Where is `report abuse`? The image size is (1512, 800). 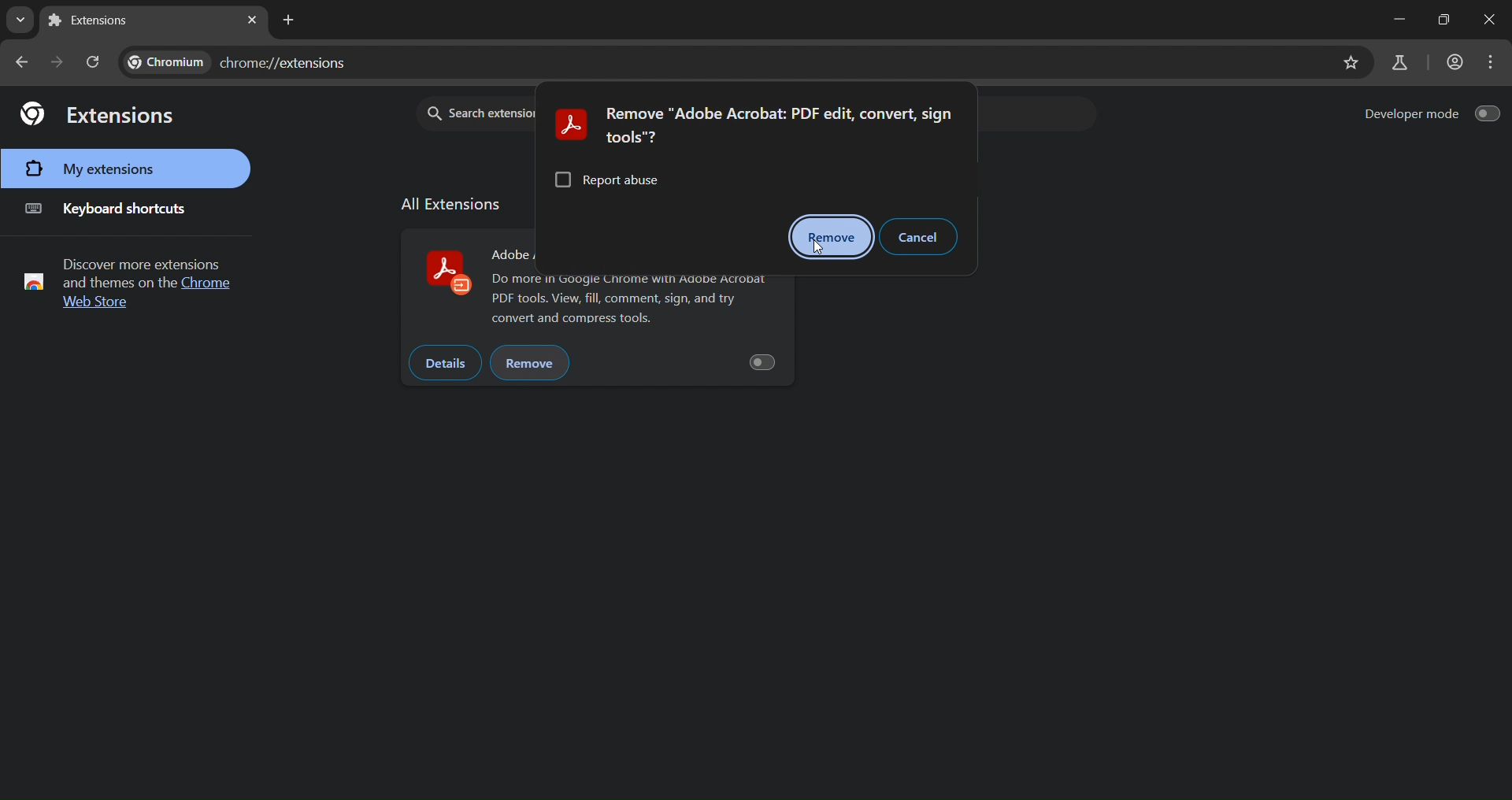
report abuse is located at coordinates (628, 181).